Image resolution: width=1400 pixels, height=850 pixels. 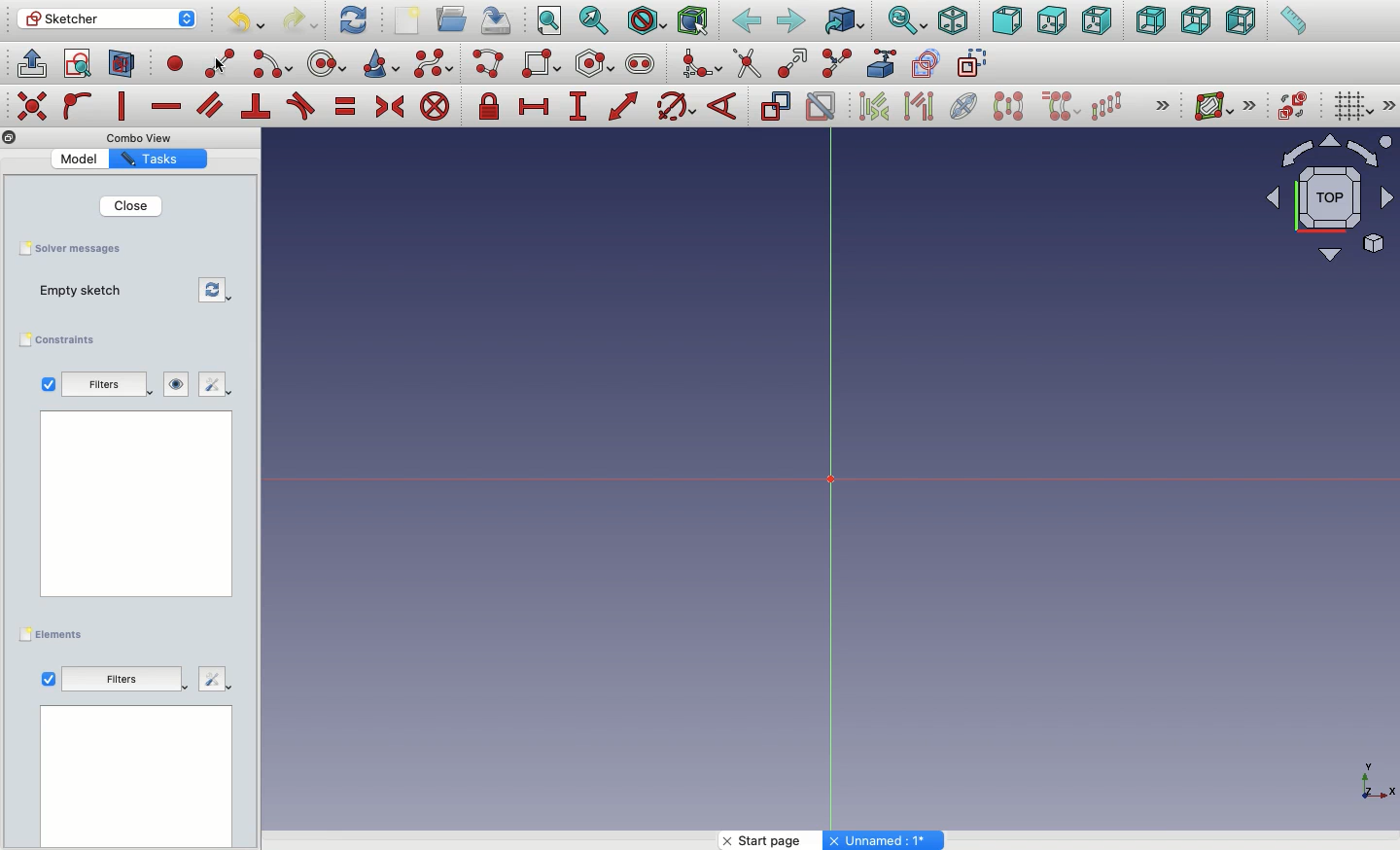 What do you see at coordinates (796, 61) in the screenshot?
I see `Extend edge` at bounding box center [796, 61].